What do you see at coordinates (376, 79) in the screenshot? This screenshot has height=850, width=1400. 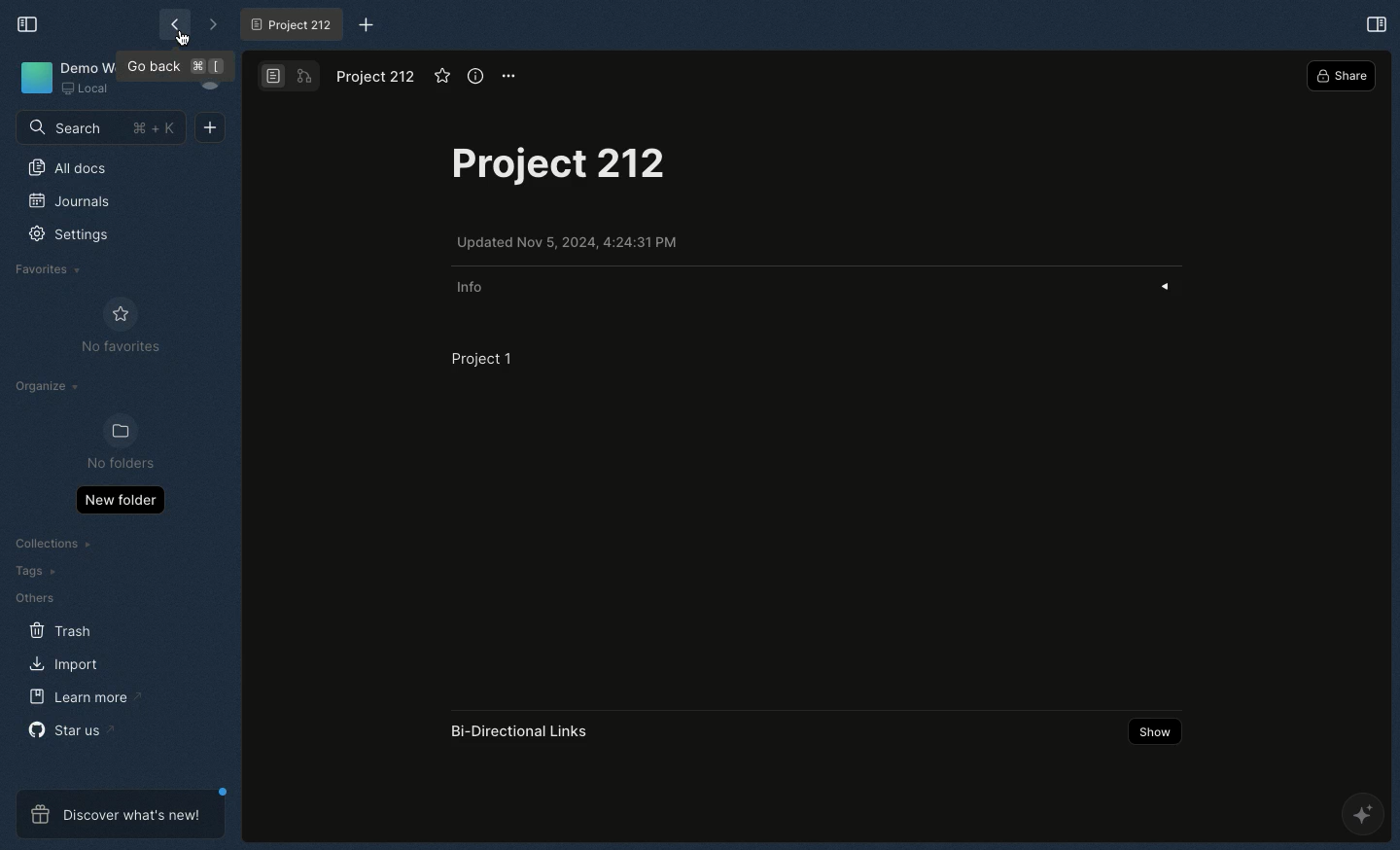 I see `Project 212` at bounding box center [376, 79].